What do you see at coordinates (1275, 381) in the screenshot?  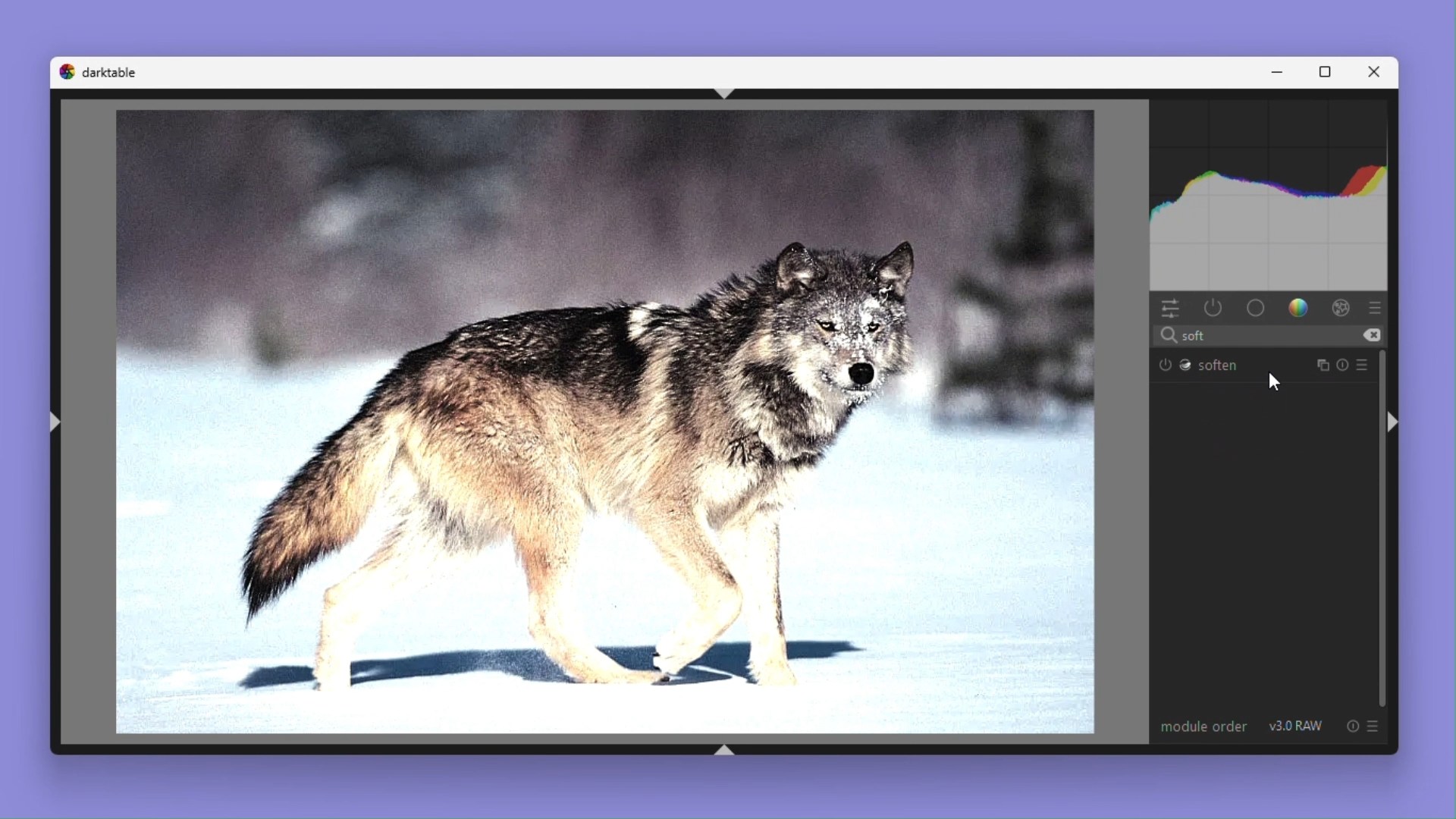 I see `cursor` at bounding box center [1275, 381].